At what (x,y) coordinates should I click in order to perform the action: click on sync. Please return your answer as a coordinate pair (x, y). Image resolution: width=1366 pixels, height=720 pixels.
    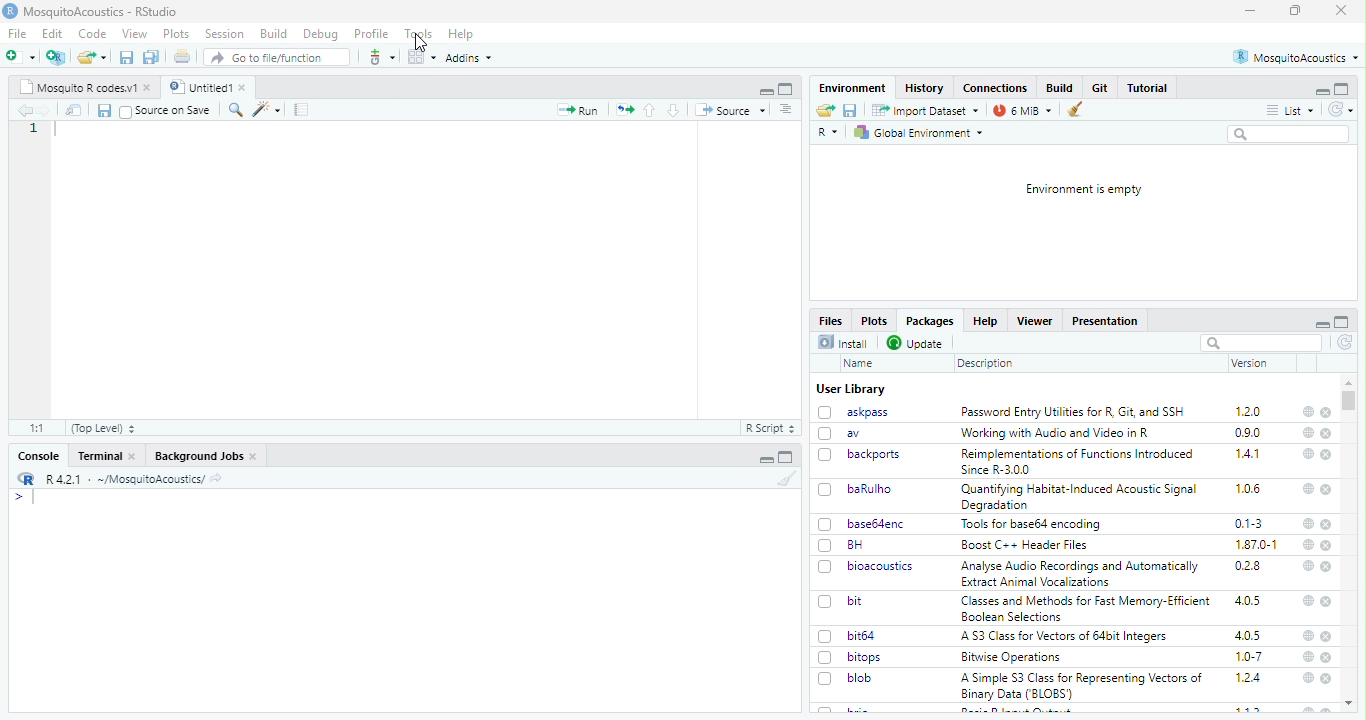
    Looking at the image, I should click on (1346, 343).